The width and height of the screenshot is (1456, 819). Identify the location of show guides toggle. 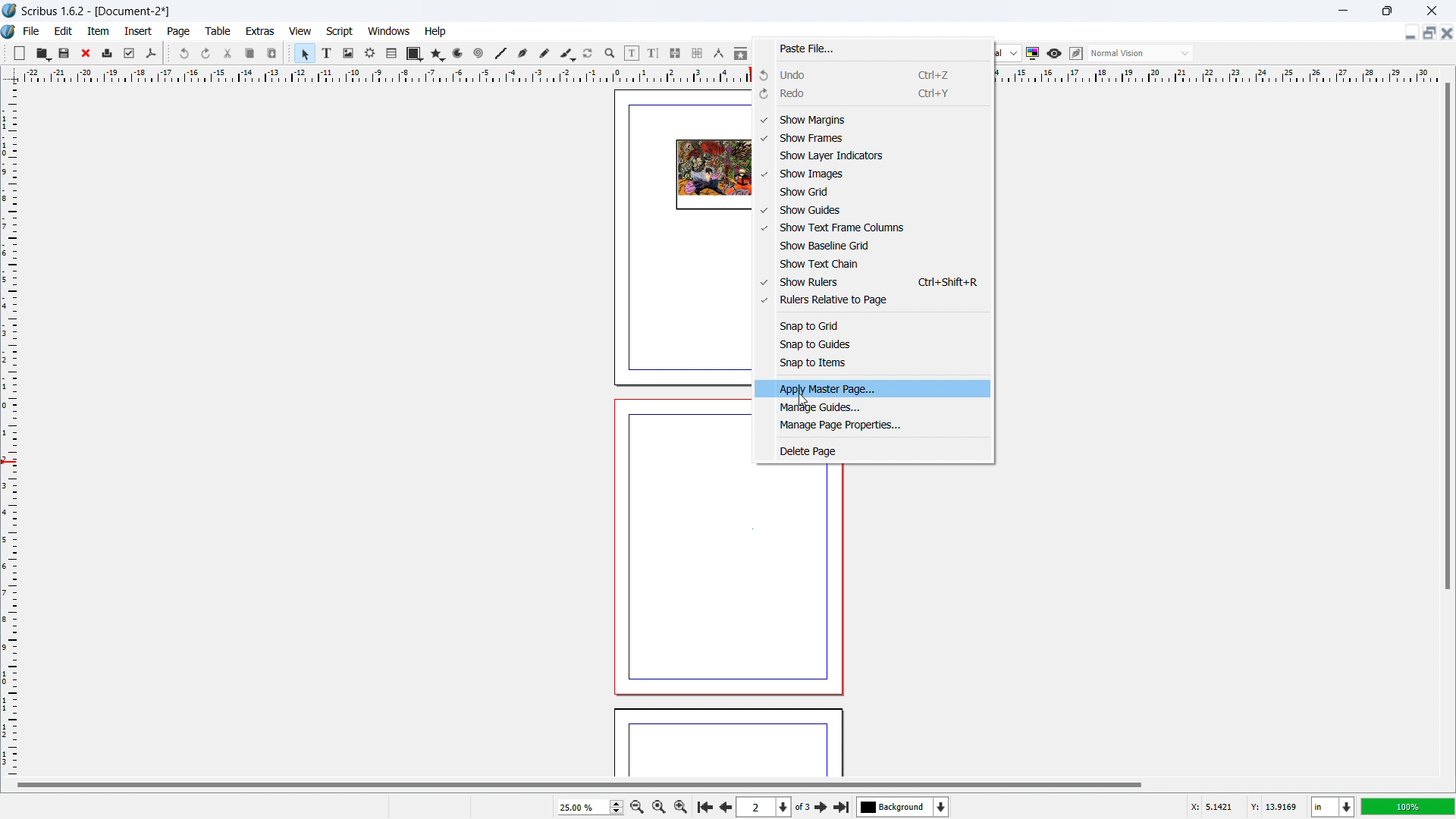
(874, 211).